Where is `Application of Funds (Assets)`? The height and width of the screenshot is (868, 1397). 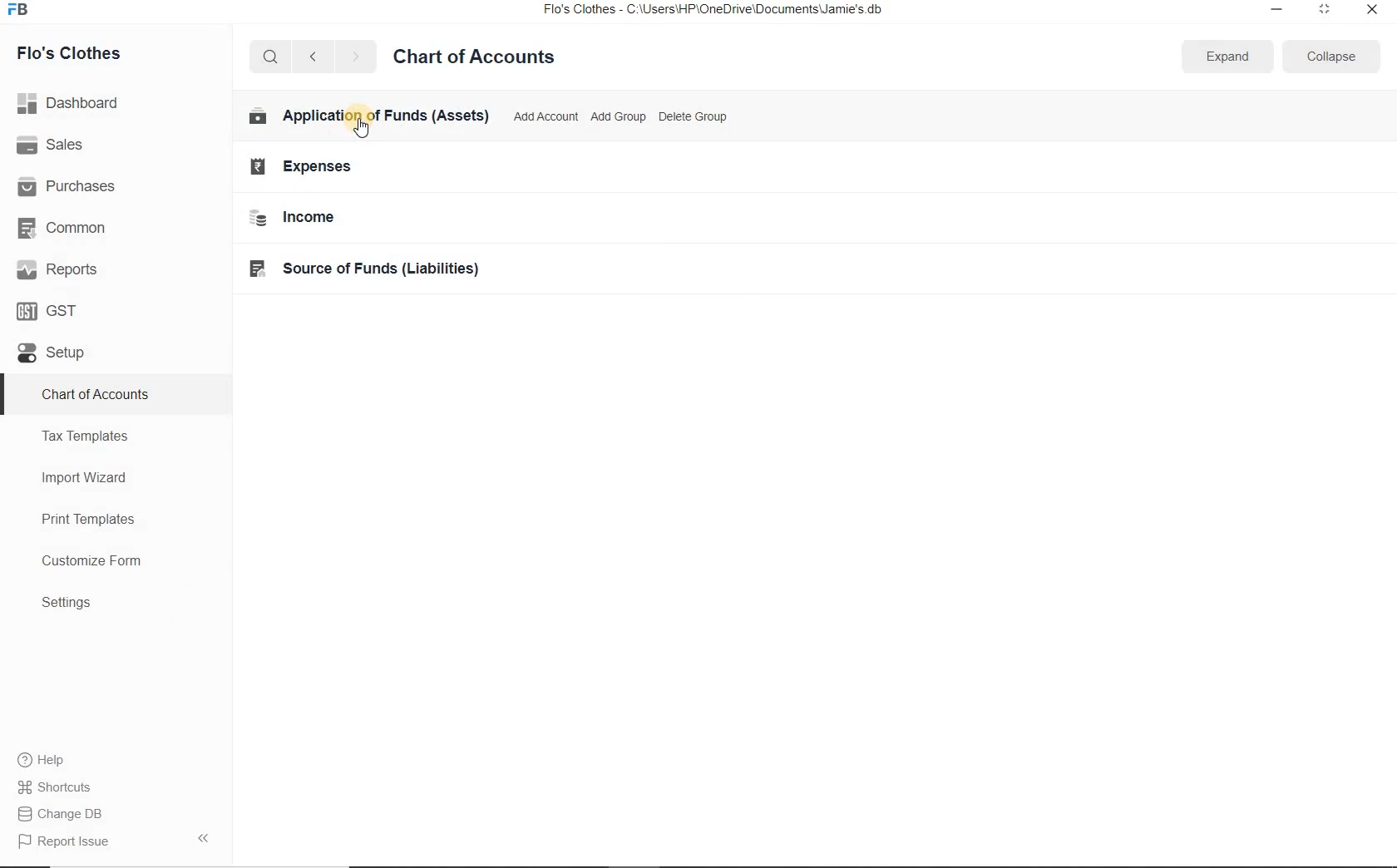 Application of Funds (Assets) is located at coordinates (372, 116).